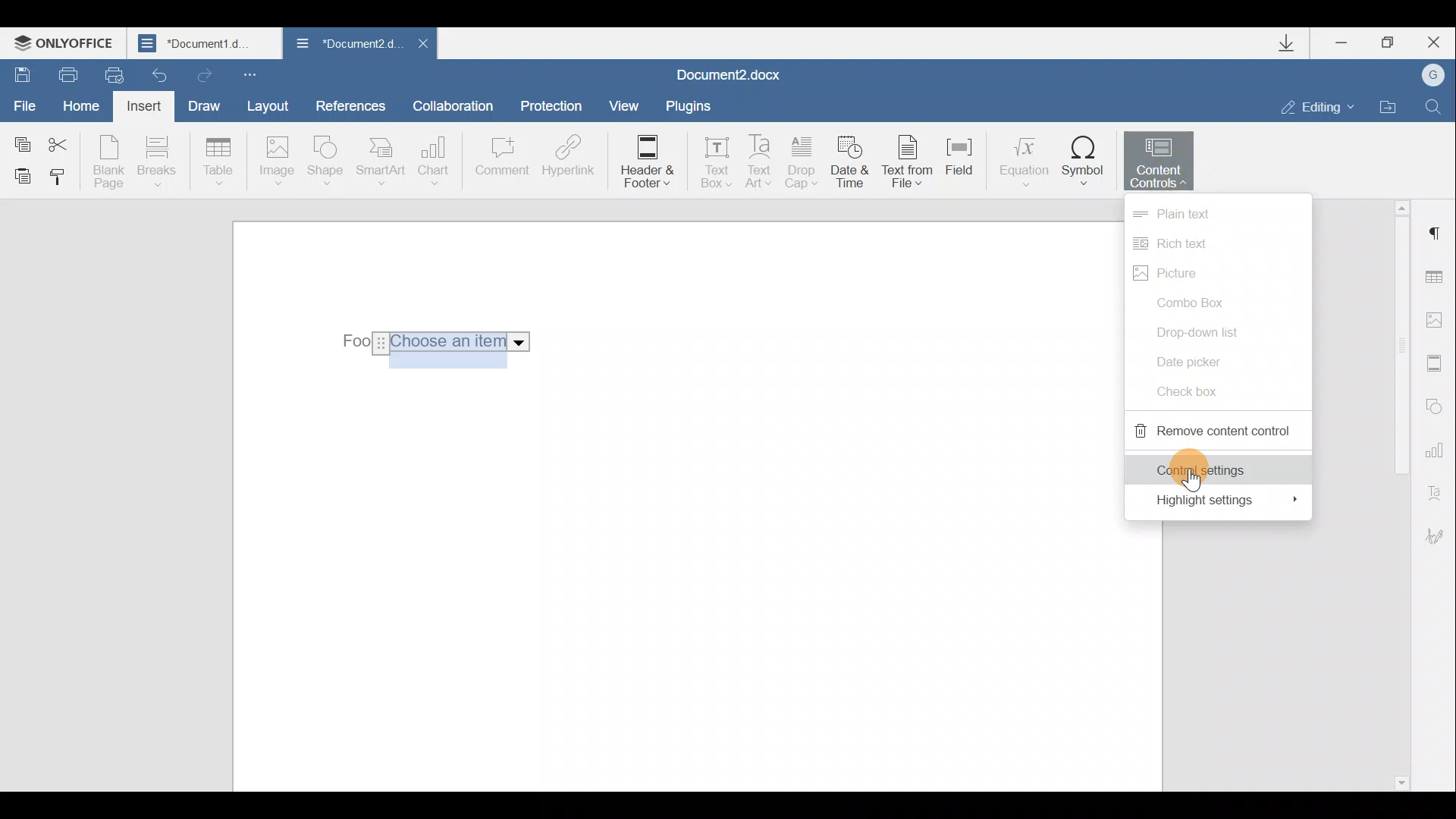  What do you see at coordinates (1441, 536) in the screenshot?
I see `Signature settings` at bounding box center [1441, 536].